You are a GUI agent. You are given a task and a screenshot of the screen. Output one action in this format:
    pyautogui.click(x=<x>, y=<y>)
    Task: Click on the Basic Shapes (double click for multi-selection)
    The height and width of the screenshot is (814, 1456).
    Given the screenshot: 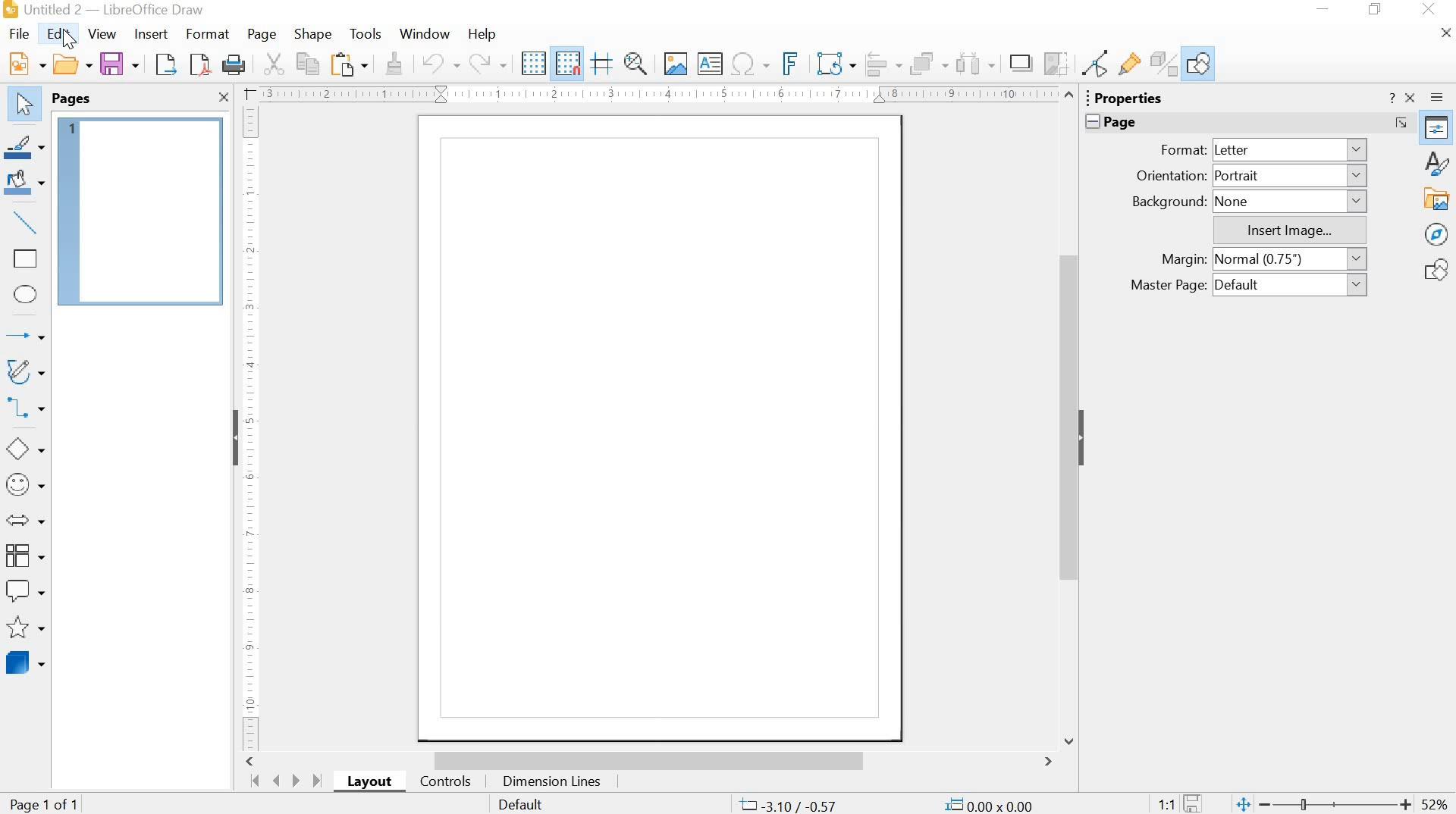 What is the action you would take?
    pyautogui.click(x=27, y=448)
    